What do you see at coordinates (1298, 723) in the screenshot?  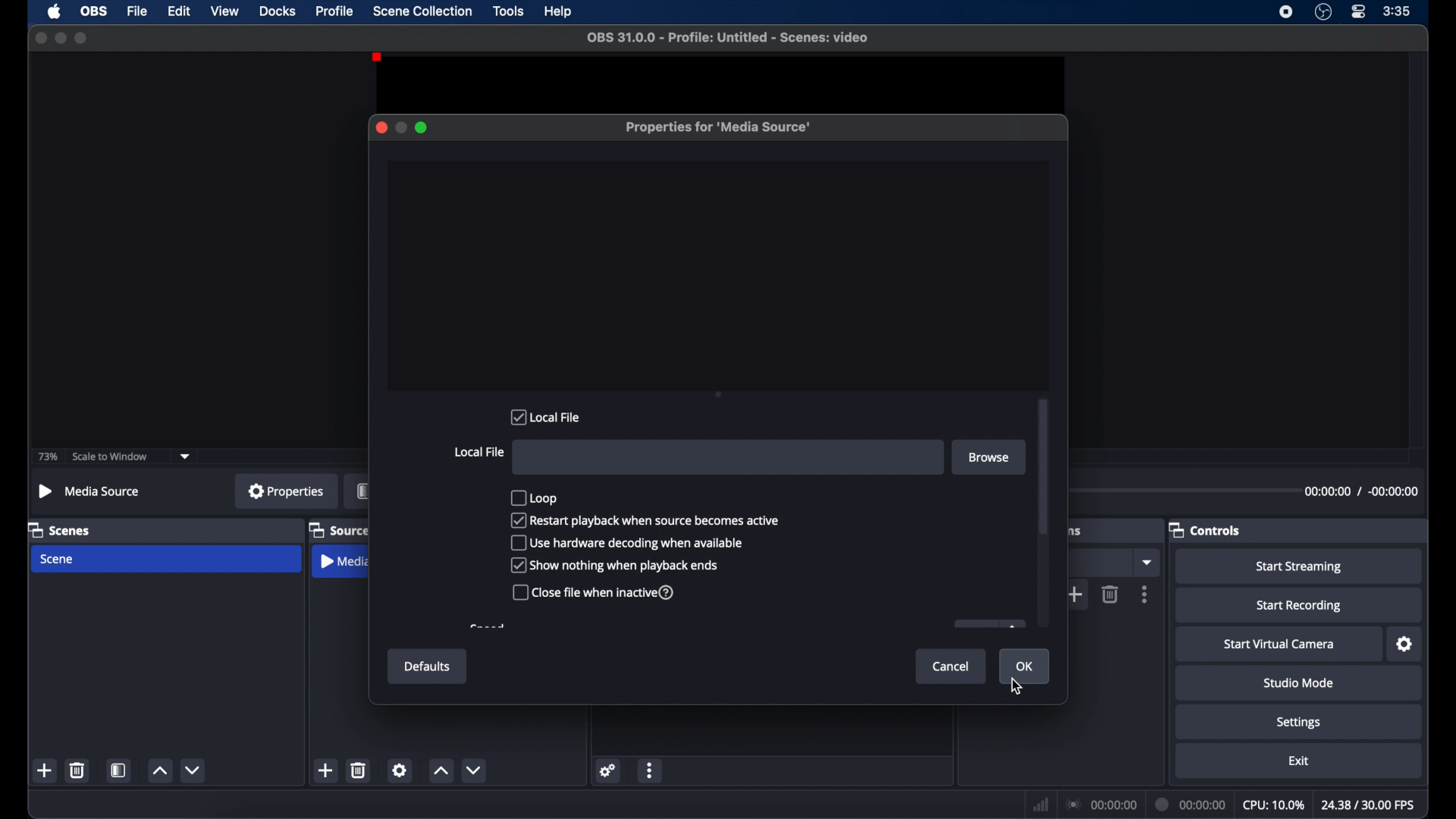 I see `settings` at bounding box center [1298, 723].